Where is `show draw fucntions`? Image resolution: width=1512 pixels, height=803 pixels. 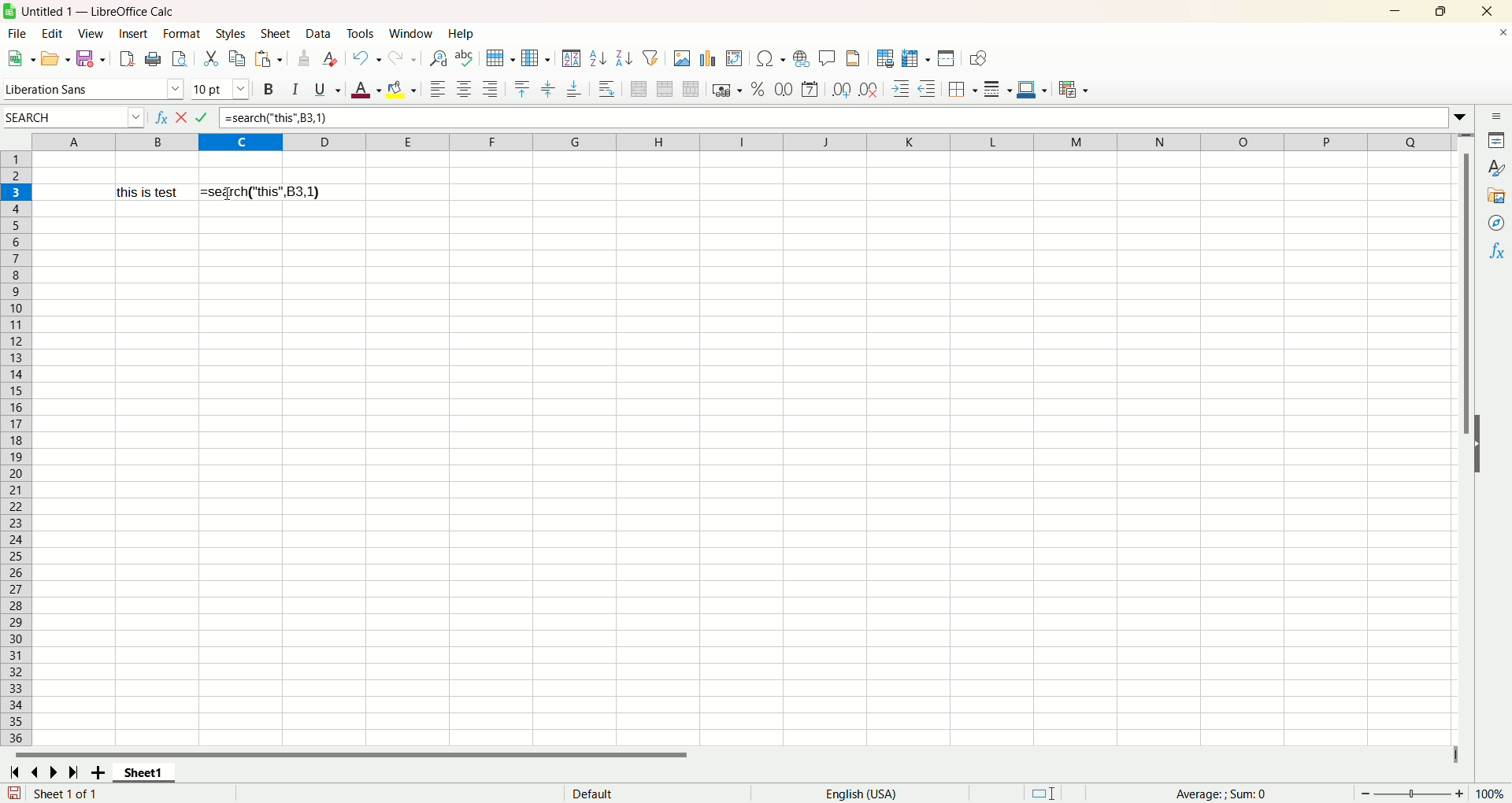
show draw fucntions is located at coordinates (978, 58).